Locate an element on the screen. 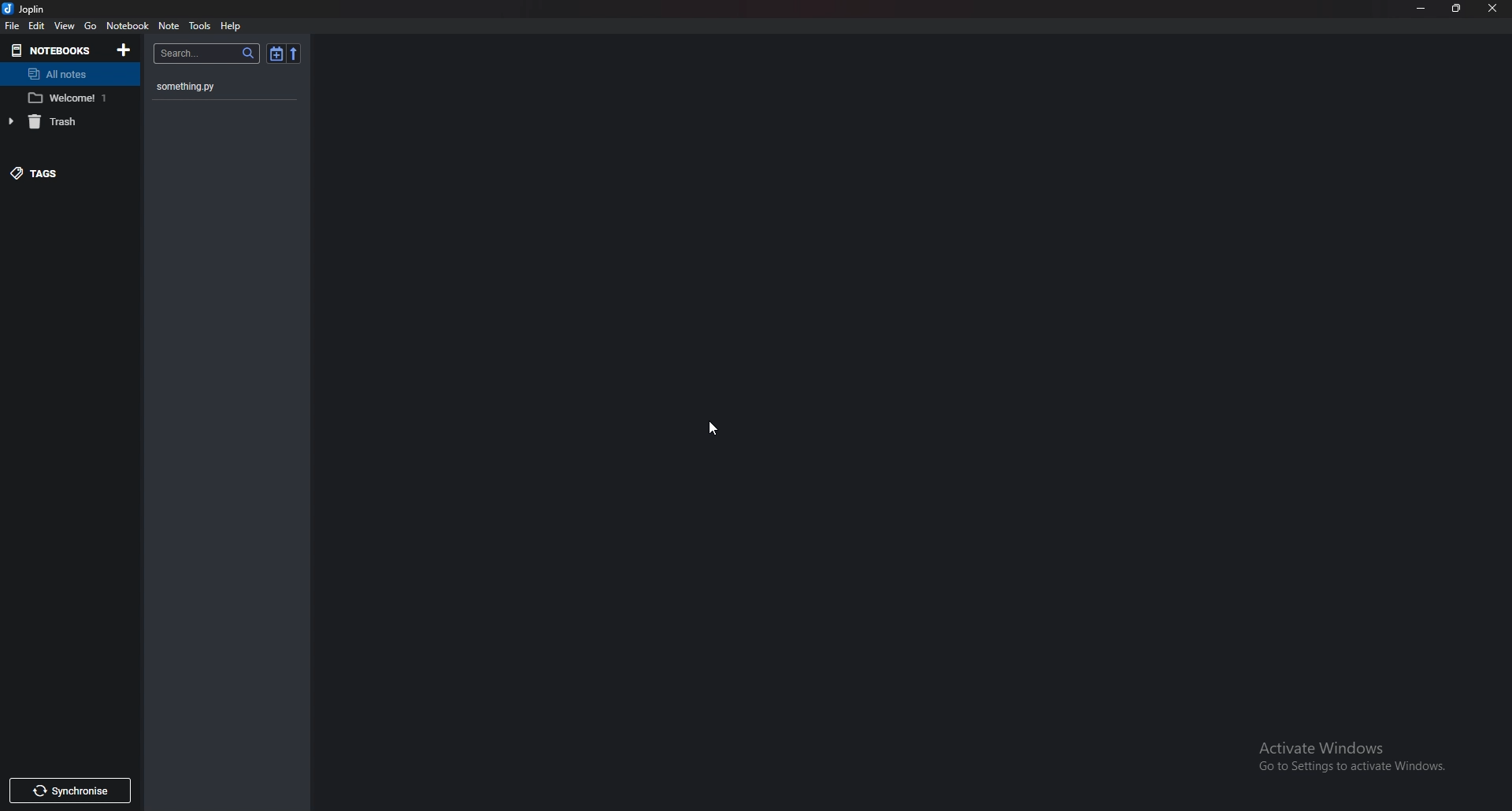  Edit is located at coordinates (38, 26).